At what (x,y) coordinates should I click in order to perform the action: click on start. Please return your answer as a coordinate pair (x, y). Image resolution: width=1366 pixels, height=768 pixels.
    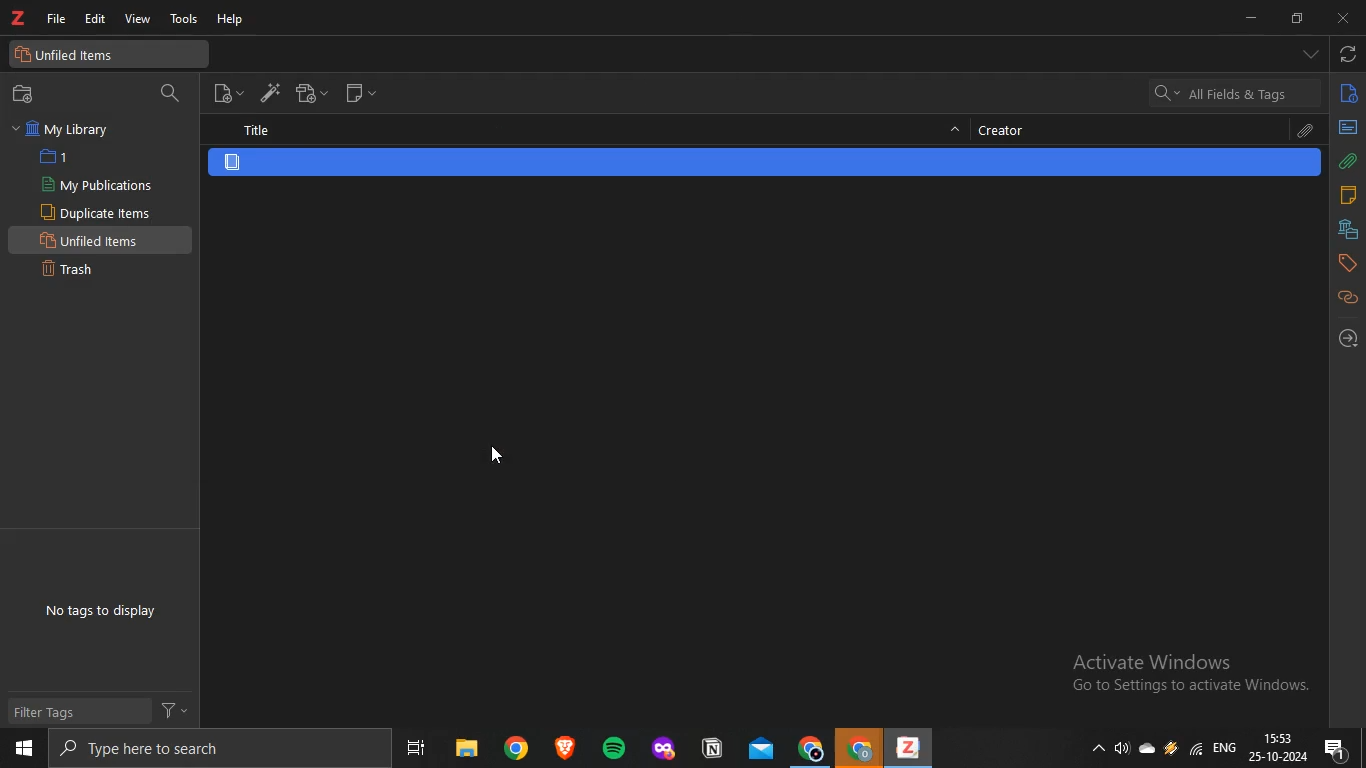
    Looking at the image, I should click on (24, 750).